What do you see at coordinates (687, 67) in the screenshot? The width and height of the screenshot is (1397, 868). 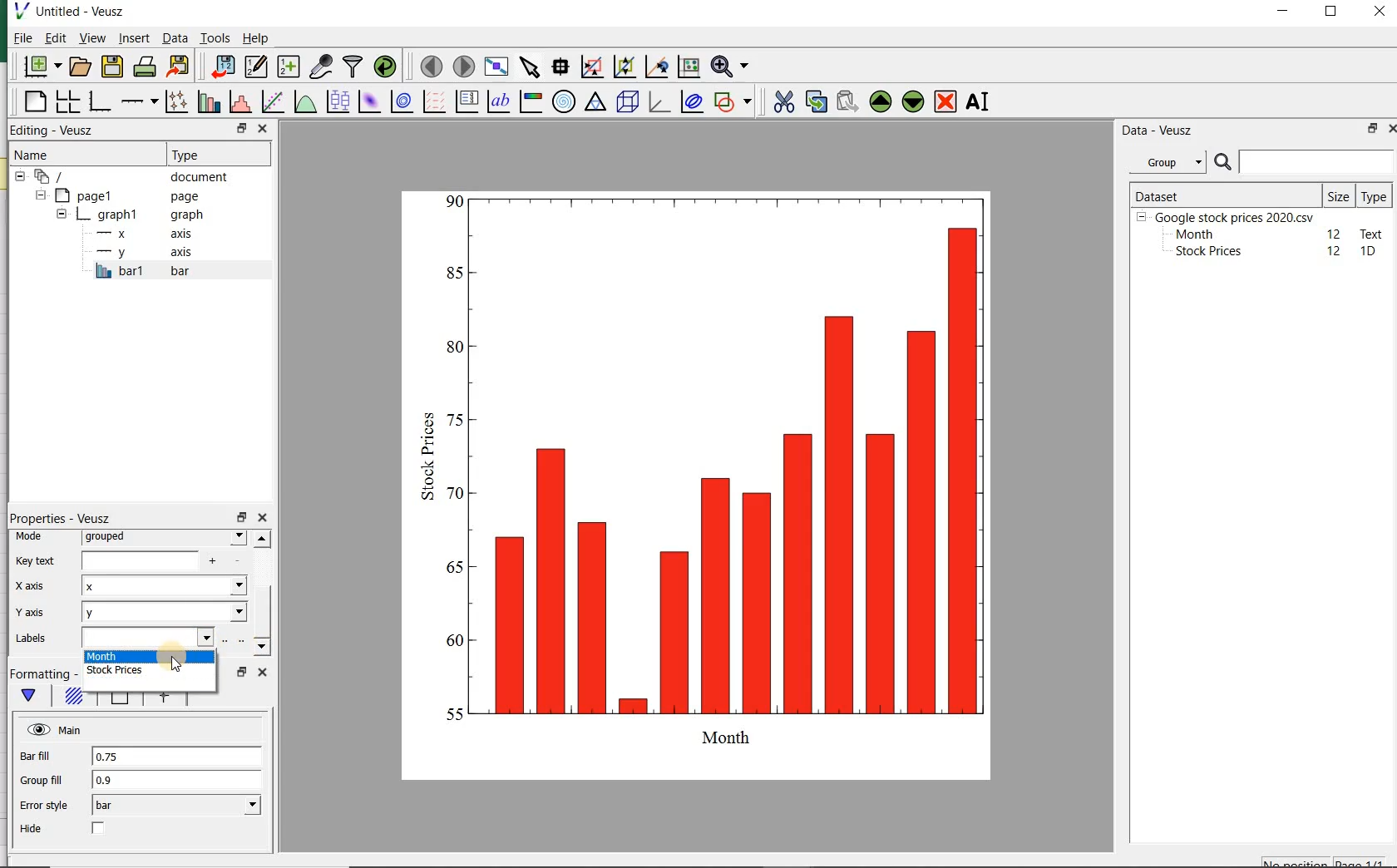 I see `click to reset graph axes` at bounding box center [687, 67].